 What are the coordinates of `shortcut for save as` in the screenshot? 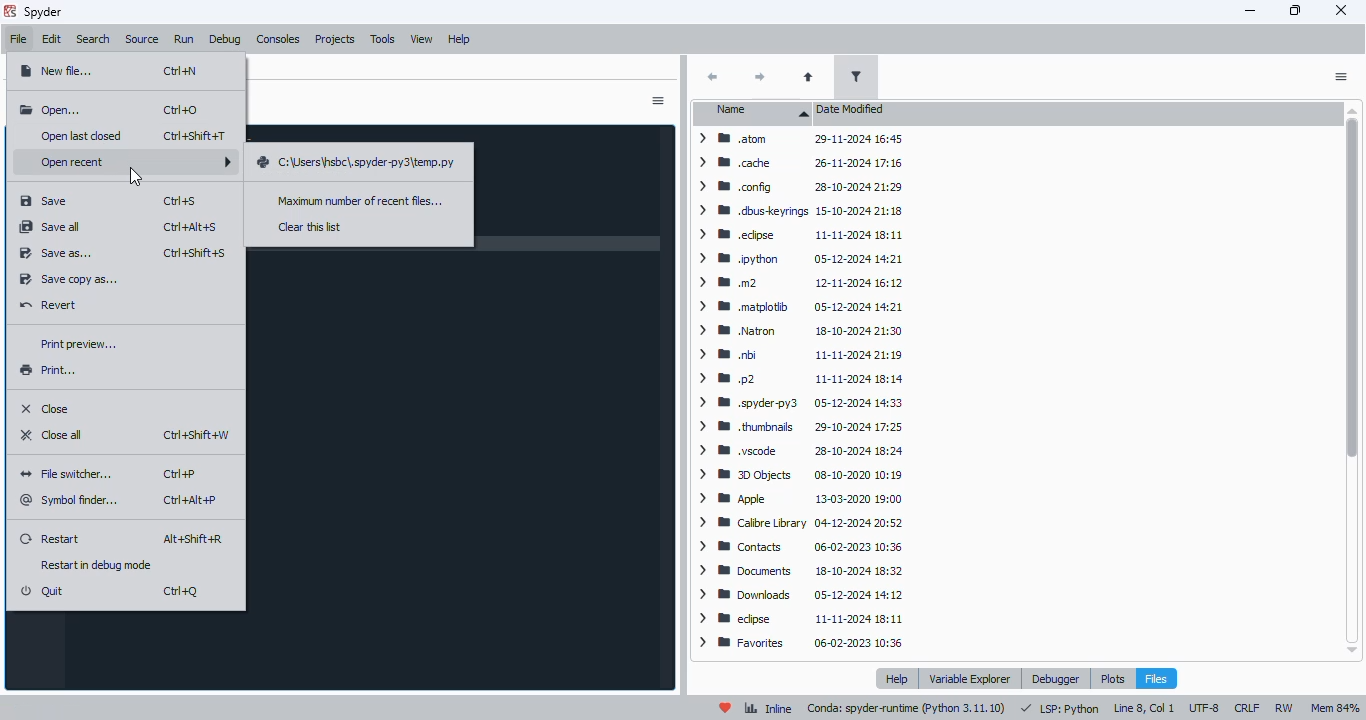 It's located at (194, 253).